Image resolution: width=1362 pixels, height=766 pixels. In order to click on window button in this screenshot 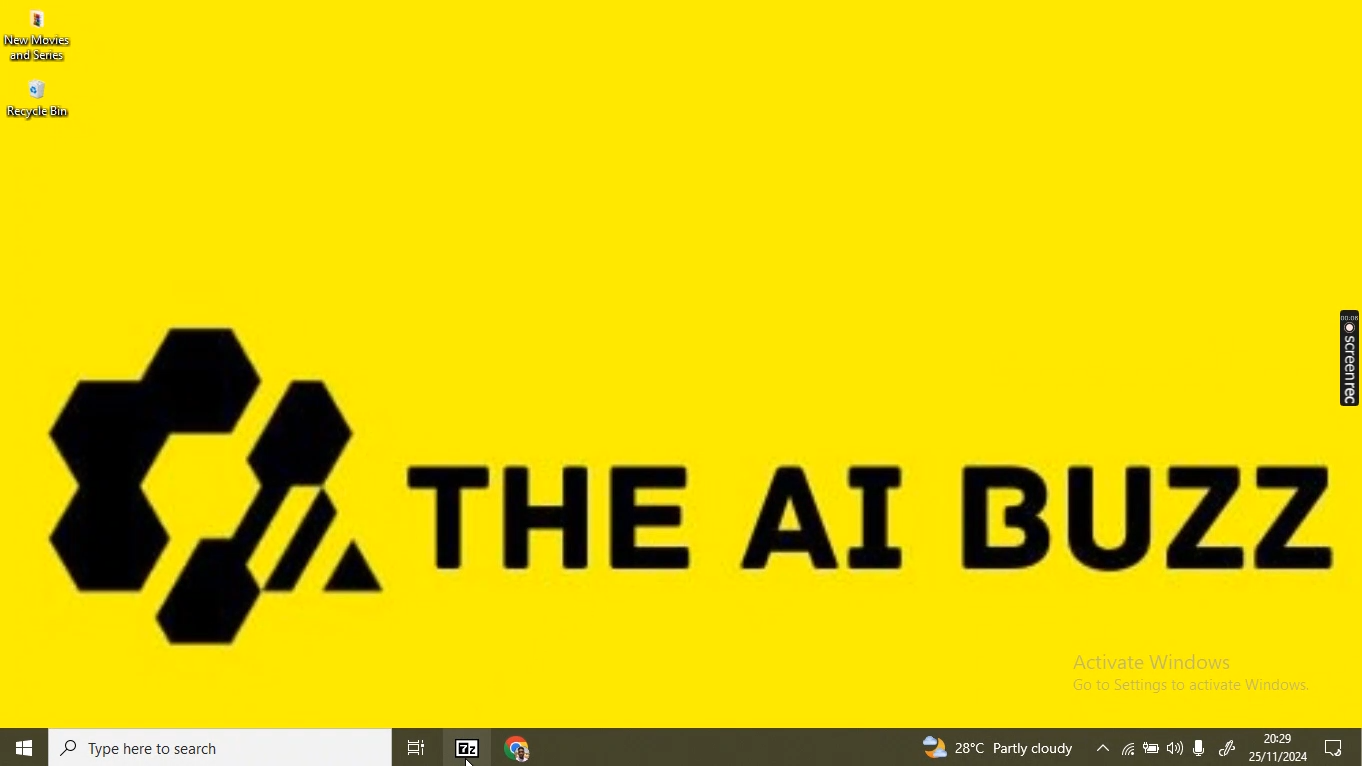, I will do `click(21, 748)`.